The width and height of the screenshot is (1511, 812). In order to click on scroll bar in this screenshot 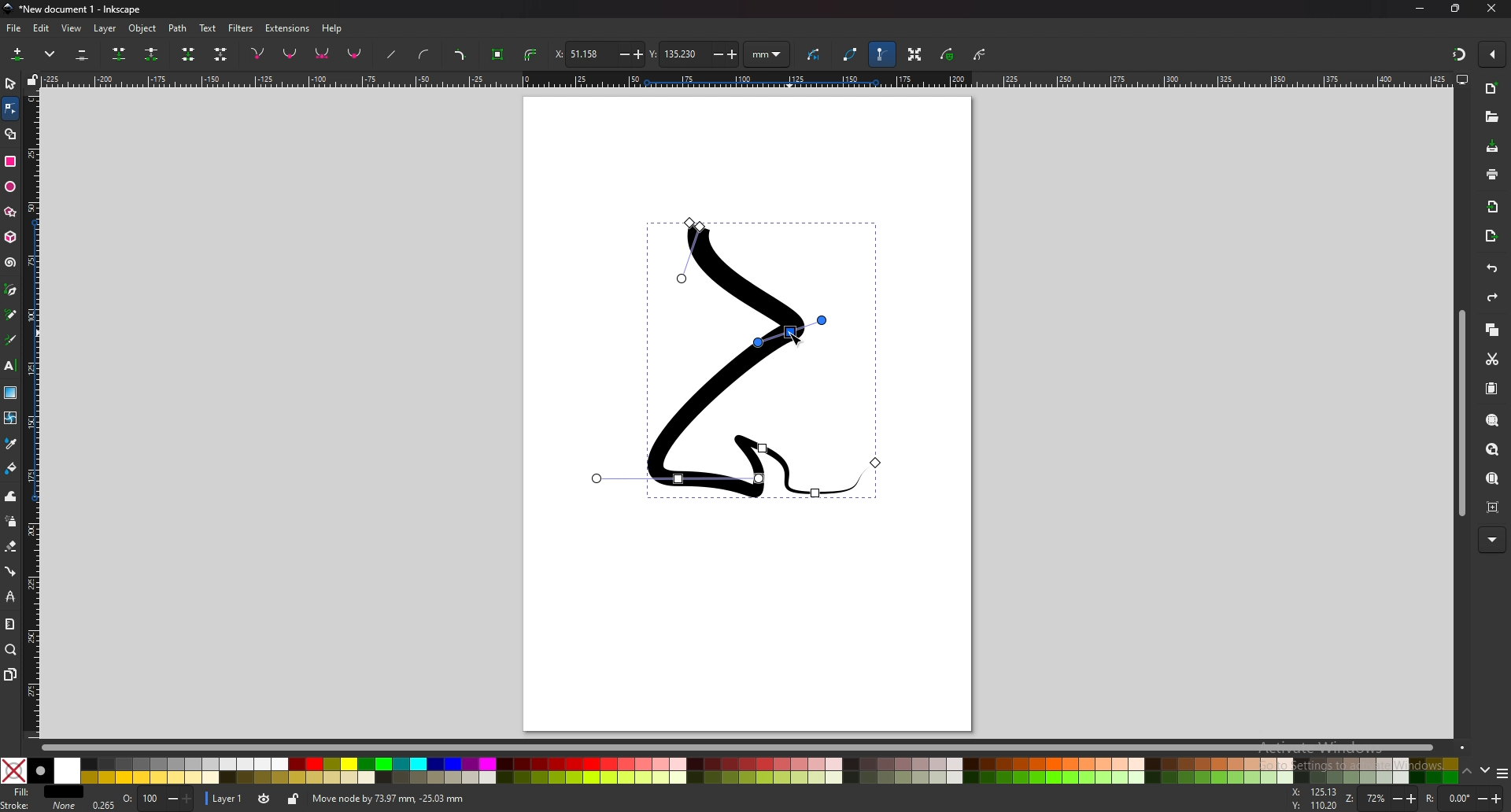, I will do `click(1461, 413)`.